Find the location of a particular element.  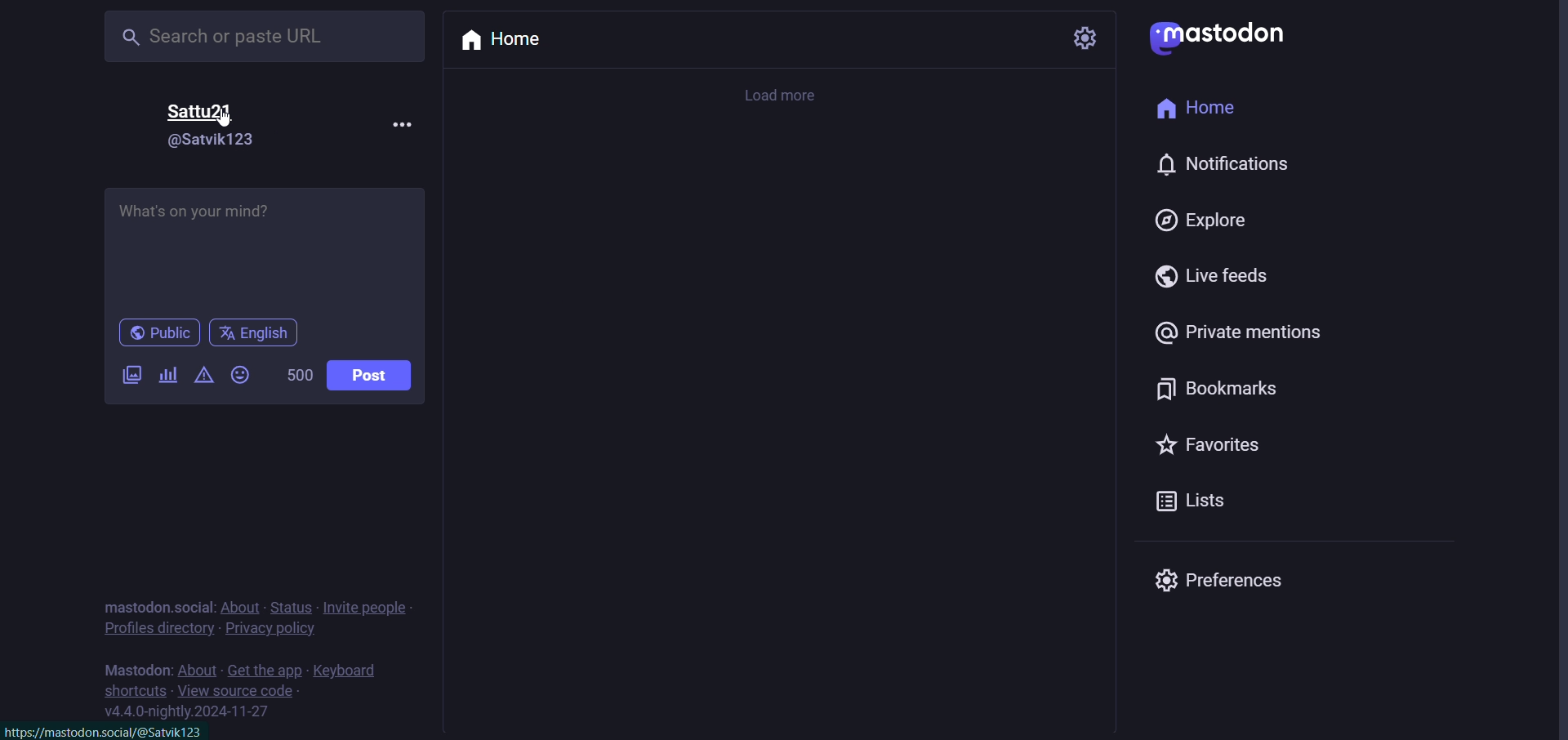

shortcuts is located at coordinates (136, 690).